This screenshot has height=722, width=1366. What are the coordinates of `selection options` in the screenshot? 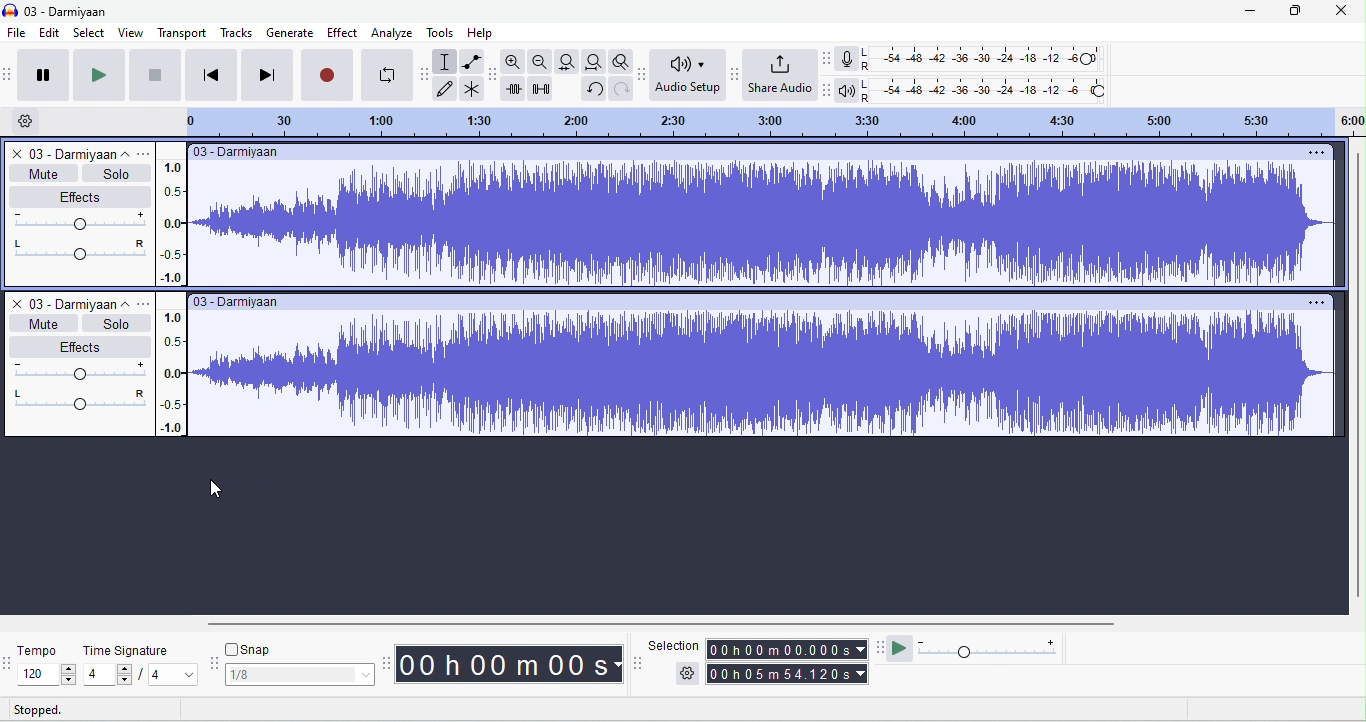 It's located at (687, 672).